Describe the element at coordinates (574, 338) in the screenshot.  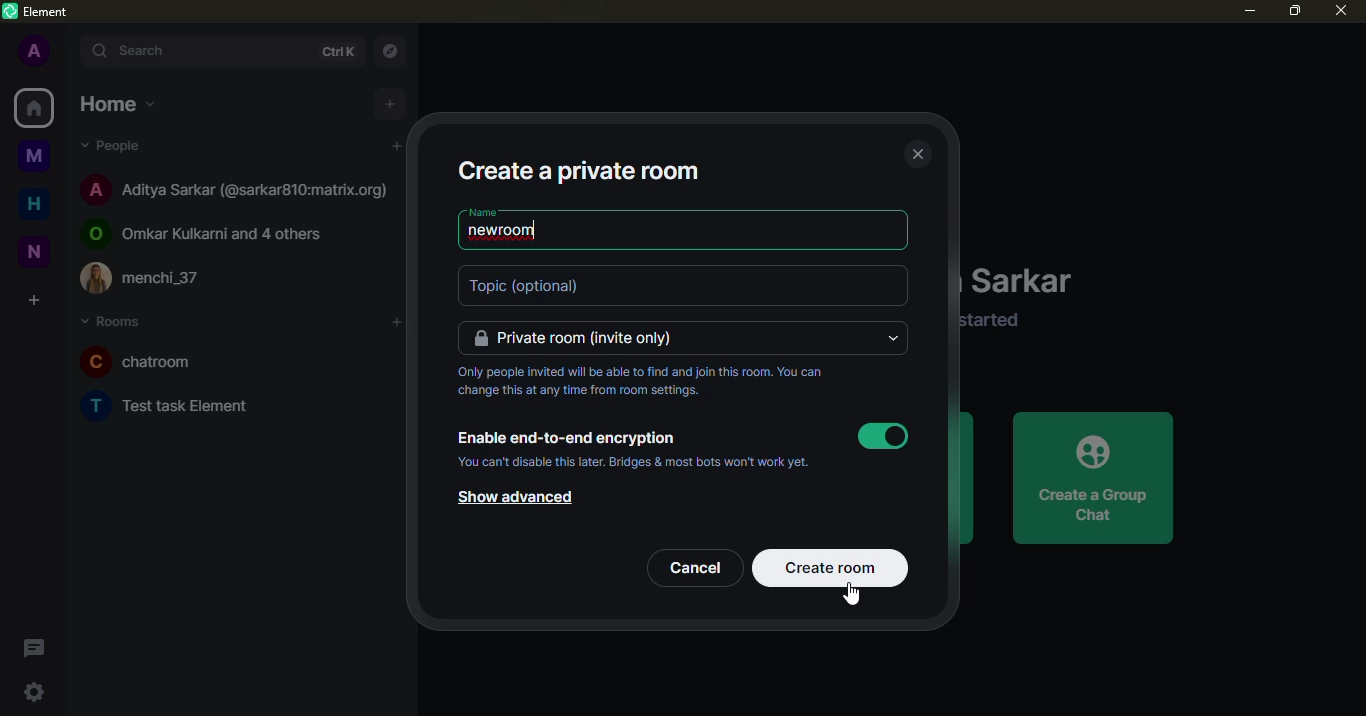
I see `private room (invite only)` at that location.